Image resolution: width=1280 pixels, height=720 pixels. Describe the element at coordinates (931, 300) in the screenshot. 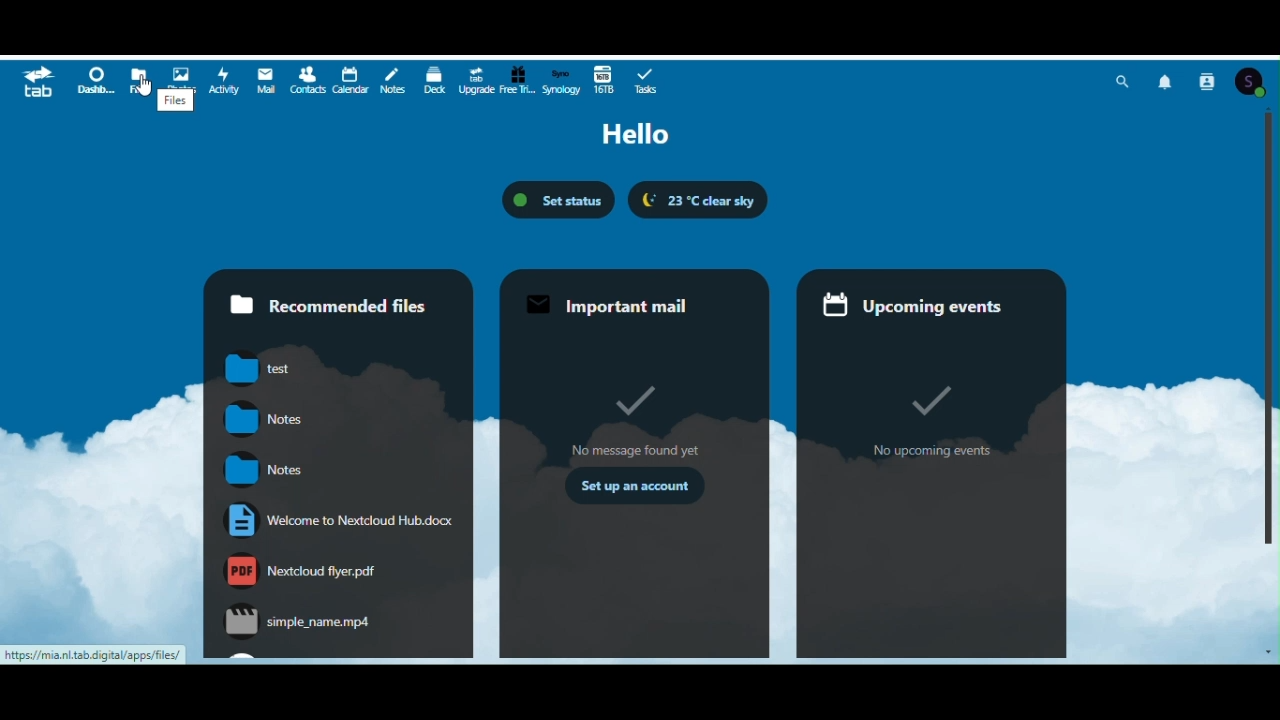

I see `Upcoming events` at that location.